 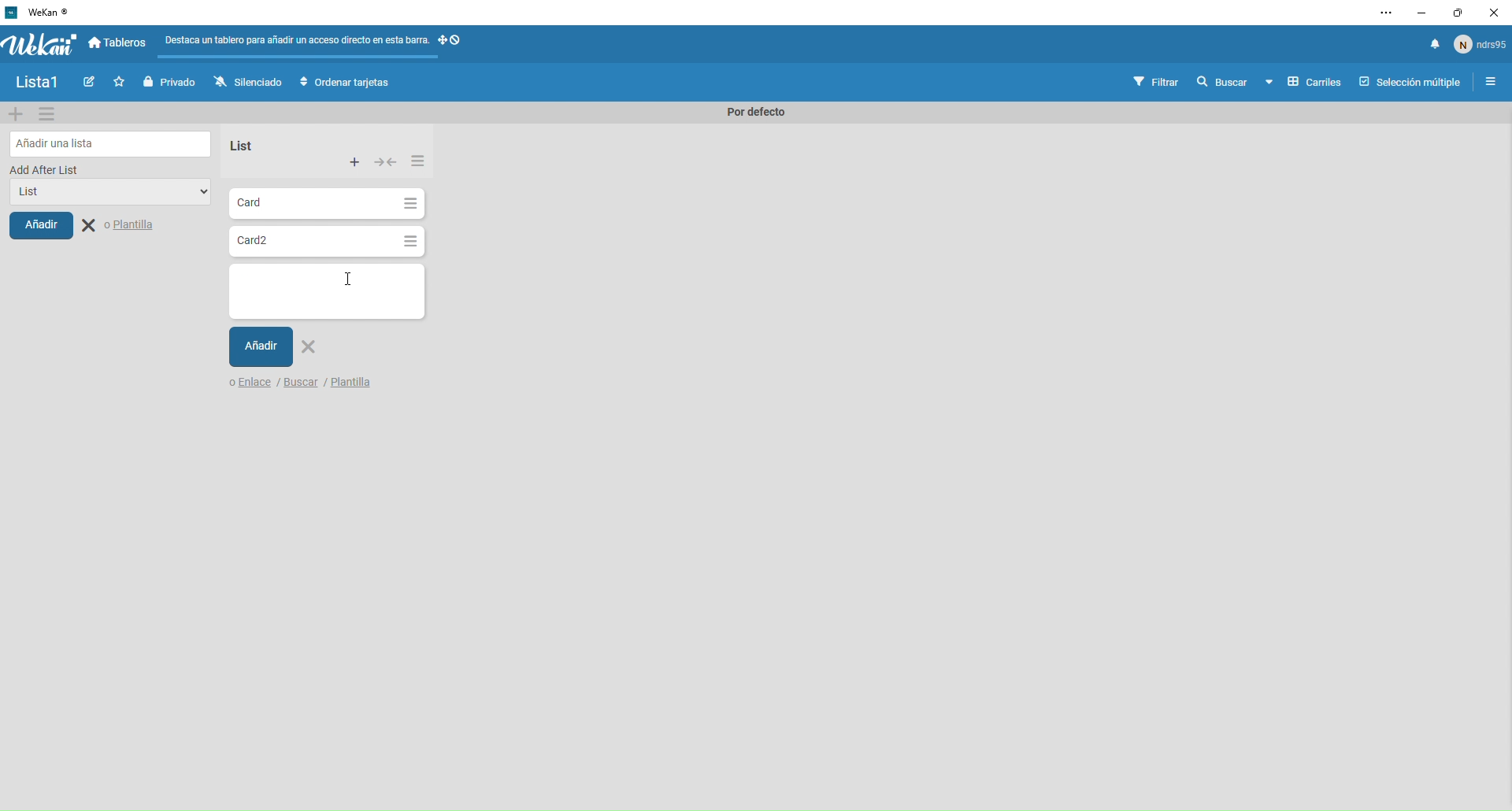 I want to click on Find, so click(x=301, y=381).